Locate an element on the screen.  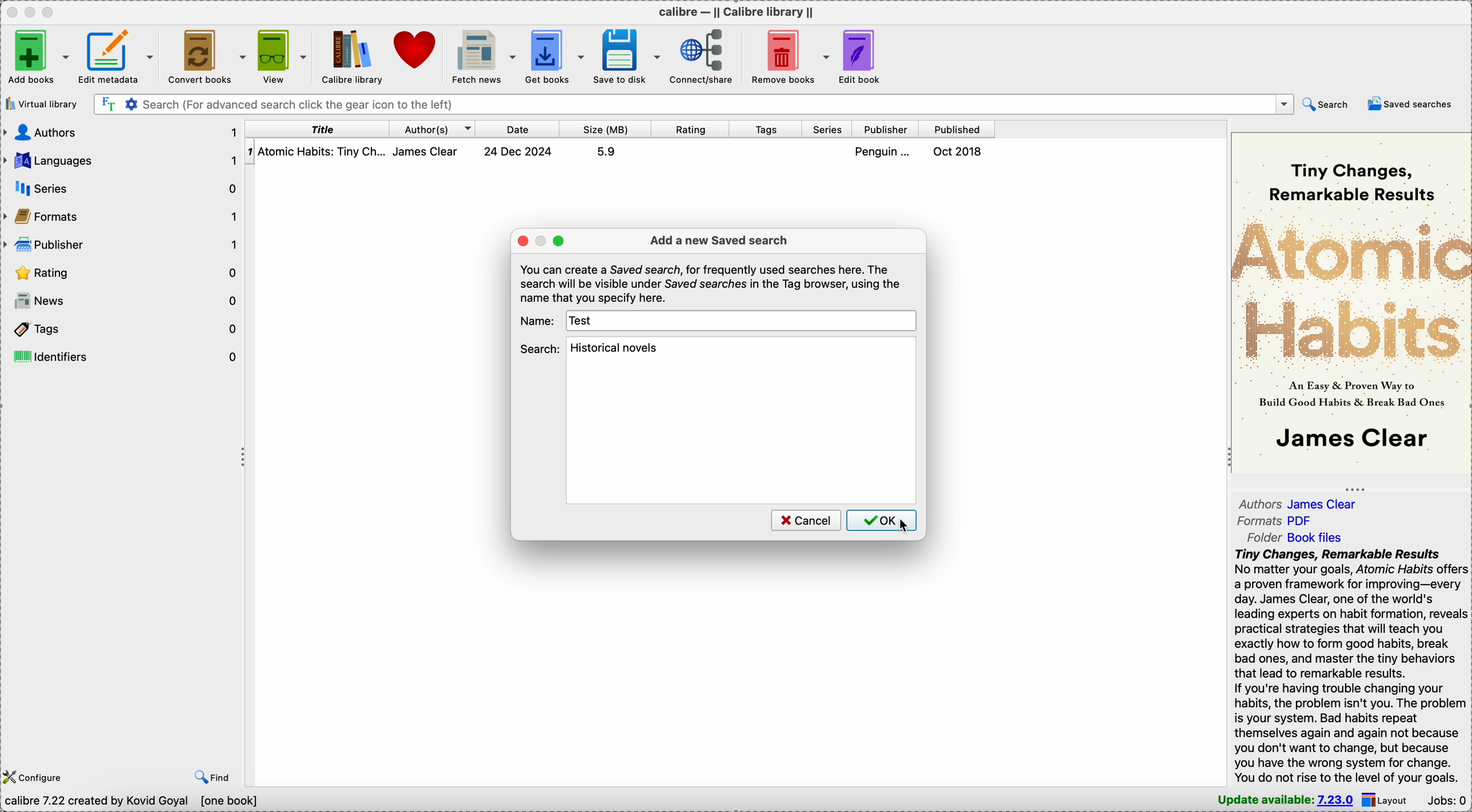
24 Dec 2024 is located at coordinates (518, 151).